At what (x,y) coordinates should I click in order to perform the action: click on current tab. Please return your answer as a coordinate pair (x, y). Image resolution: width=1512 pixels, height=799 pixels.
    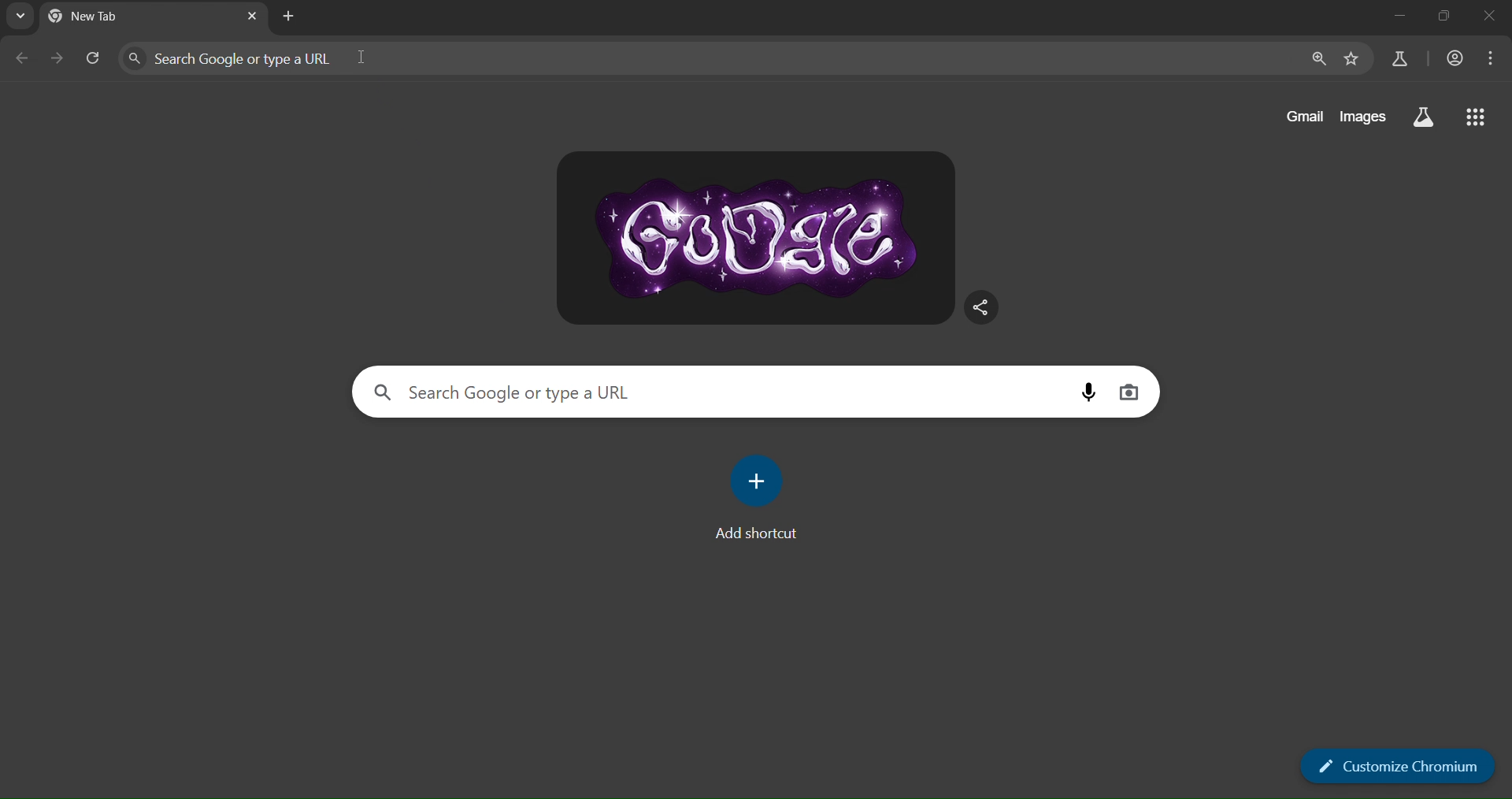
    Looking at the image, I should click on (120, 17).